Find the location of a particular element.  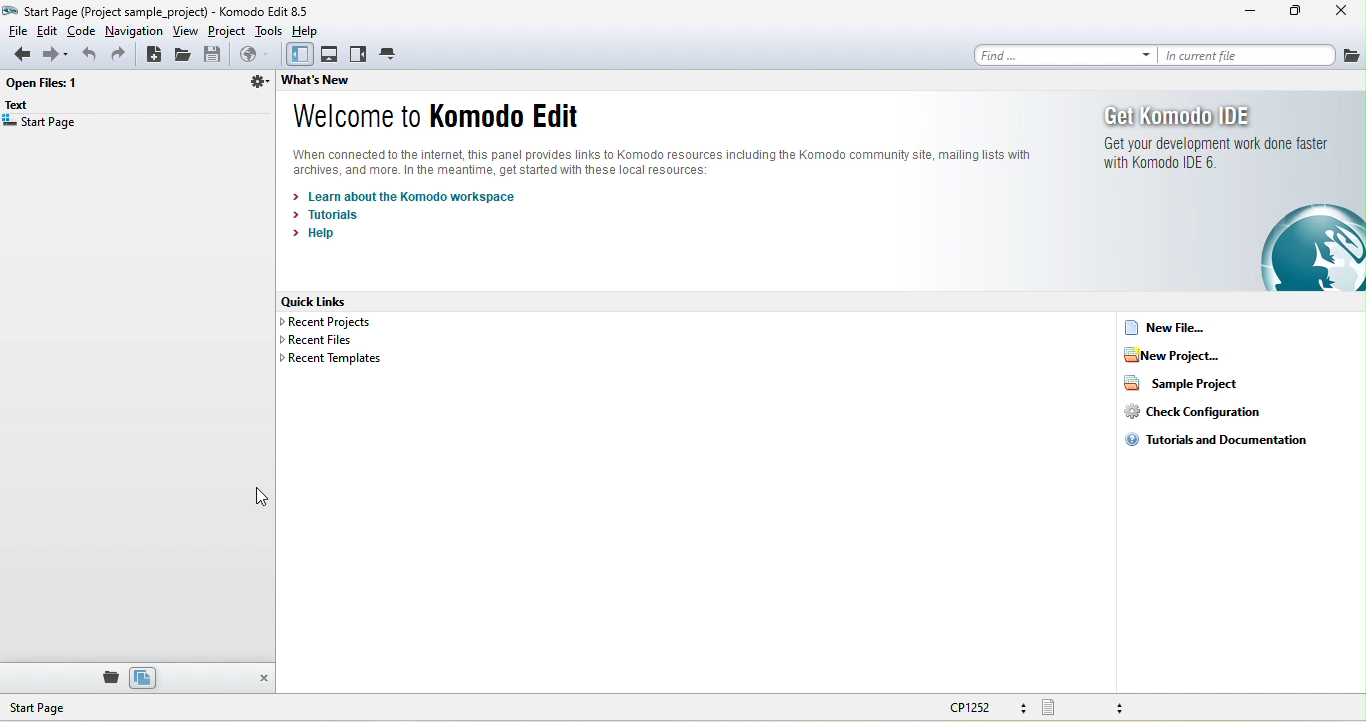

sample project is located at coordinates (1180, 382).